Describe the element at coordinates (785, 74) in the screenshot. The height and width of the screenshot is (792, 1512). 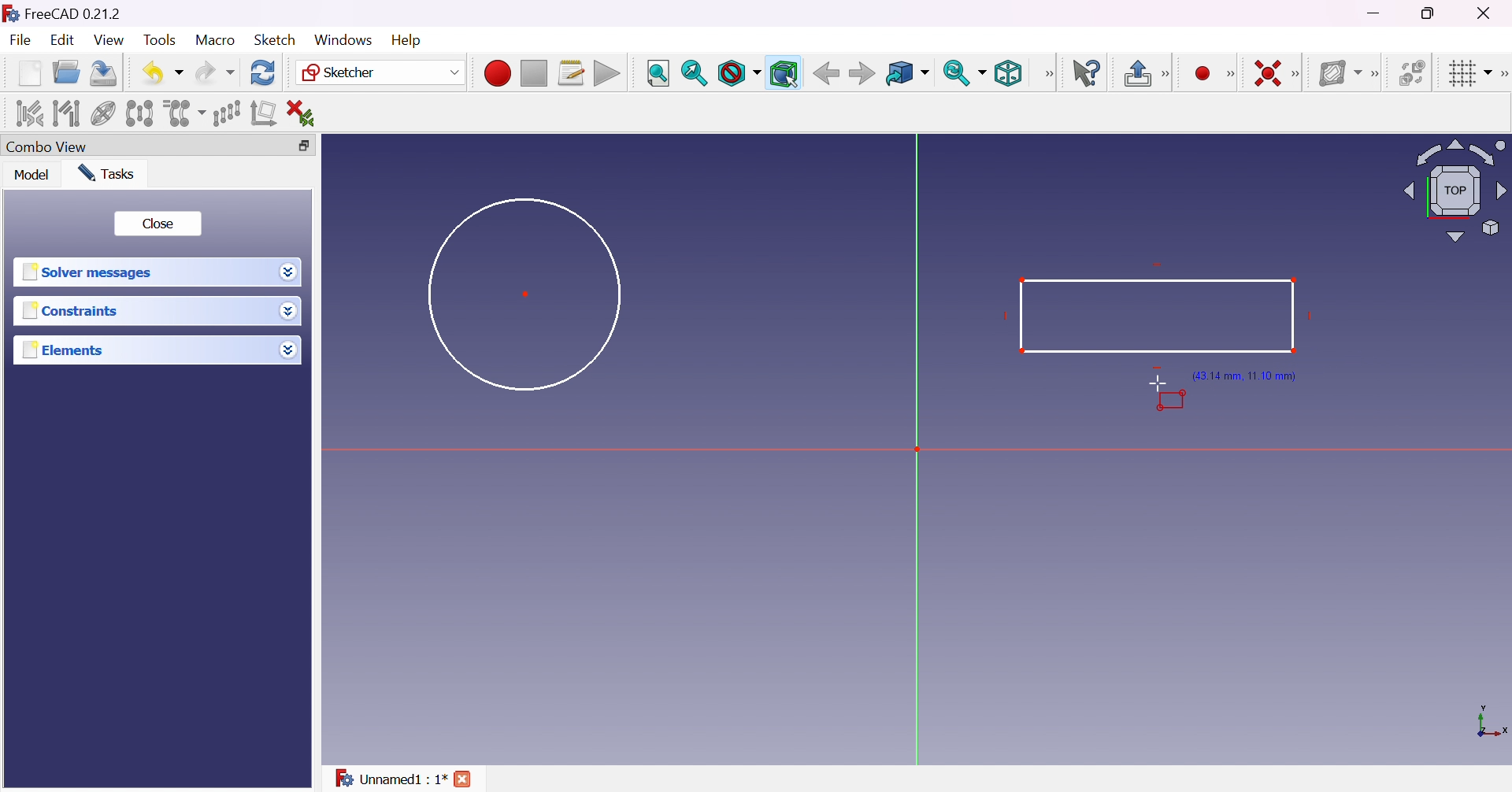
I see `Bounding box` at that location.